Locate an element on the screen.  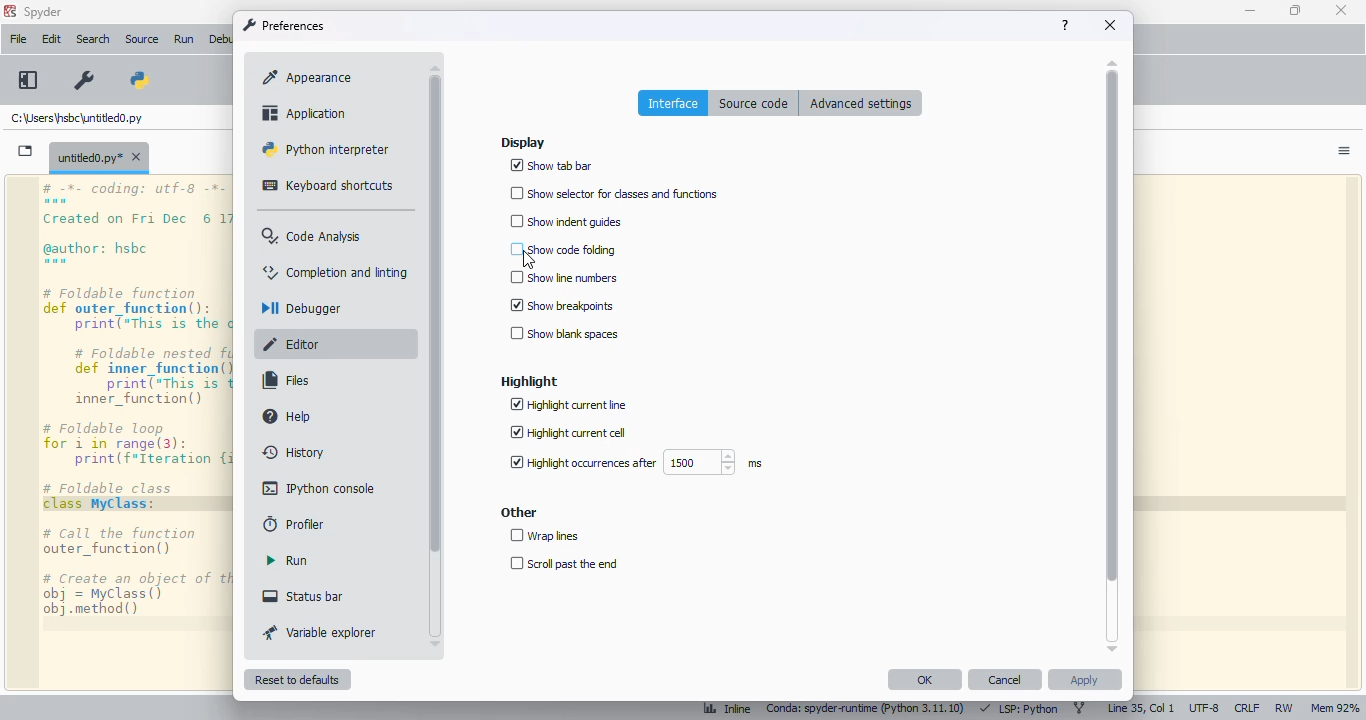
conda: spyder-runtime (python 3. 11. 10) is located at coordinates (863, 710).